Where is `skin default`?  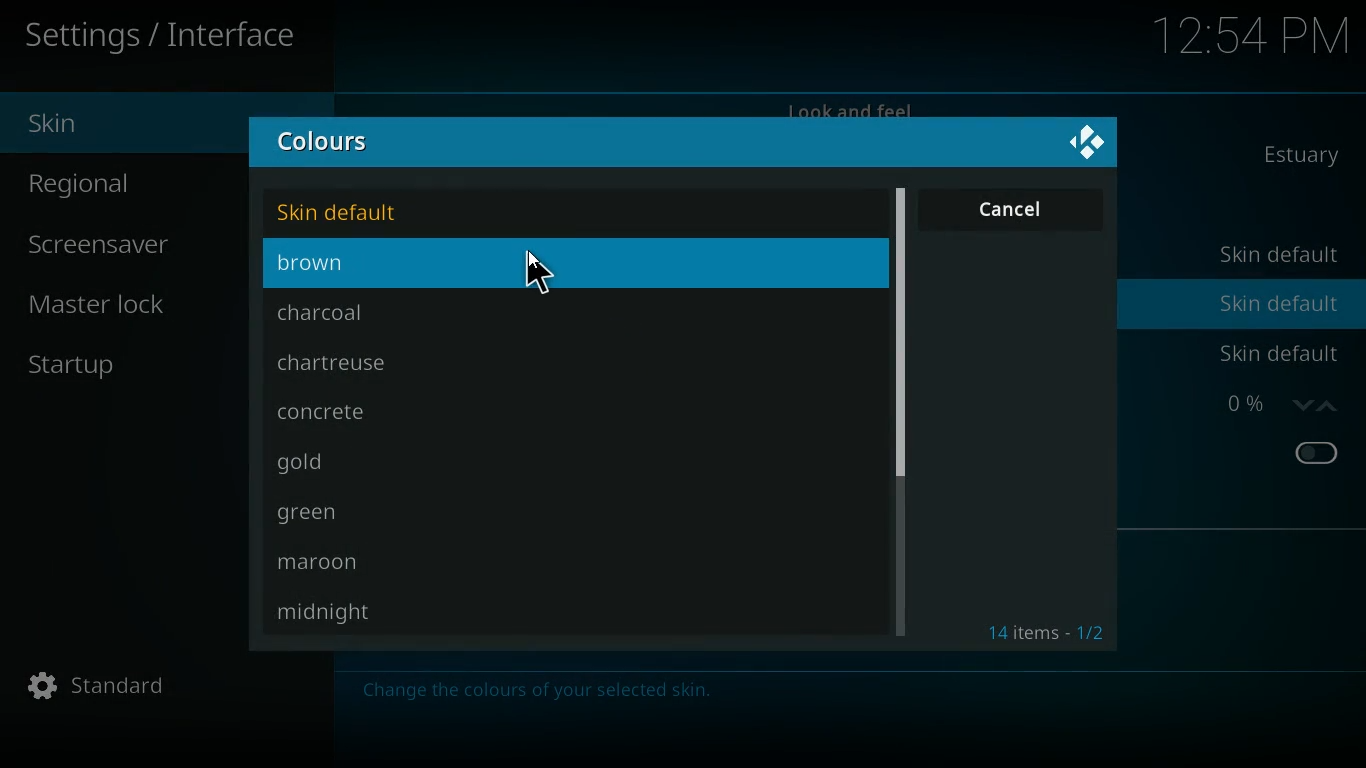 skin default is located at coordinates (1276, 256).